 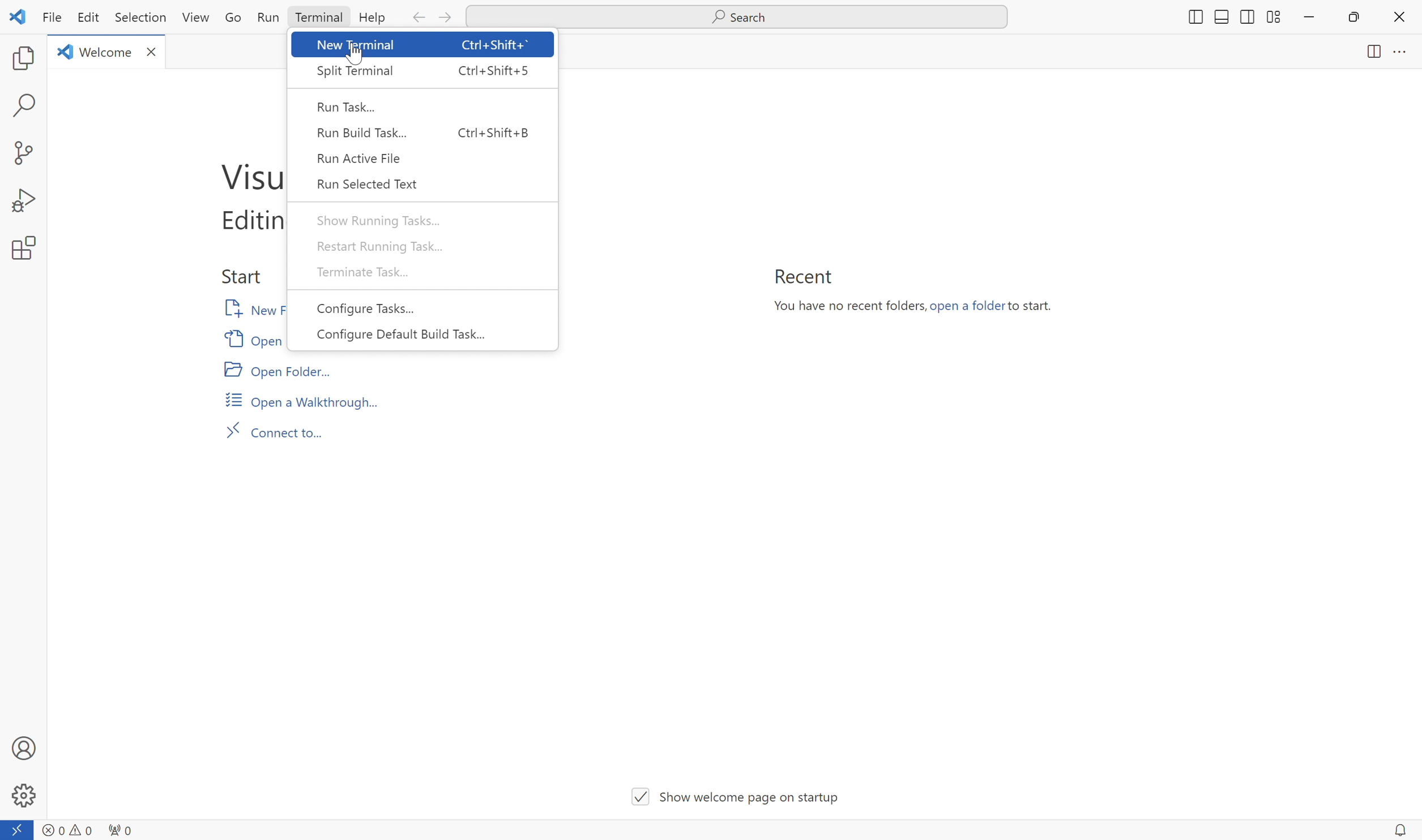 I want to click on split left, so click(x=1245, y=15).